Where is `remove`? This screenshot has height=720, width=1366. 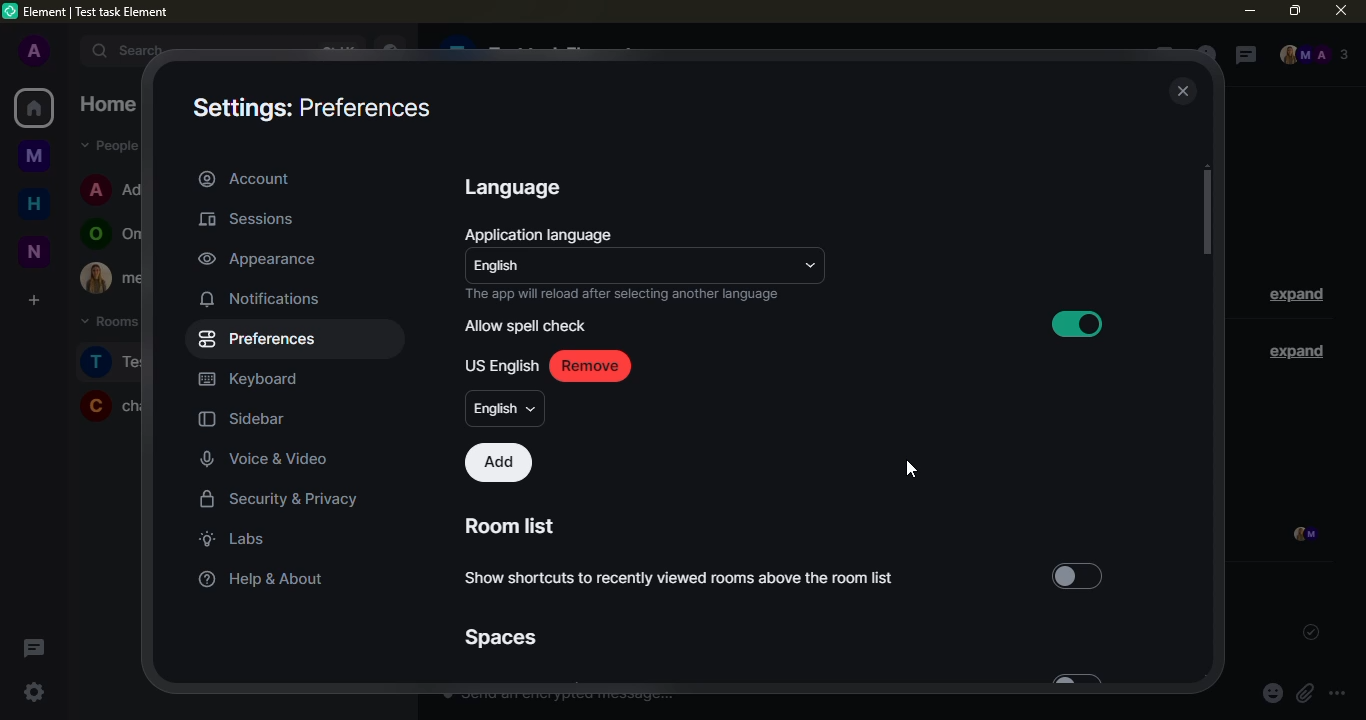 remove is located at coordinates (596, 367).